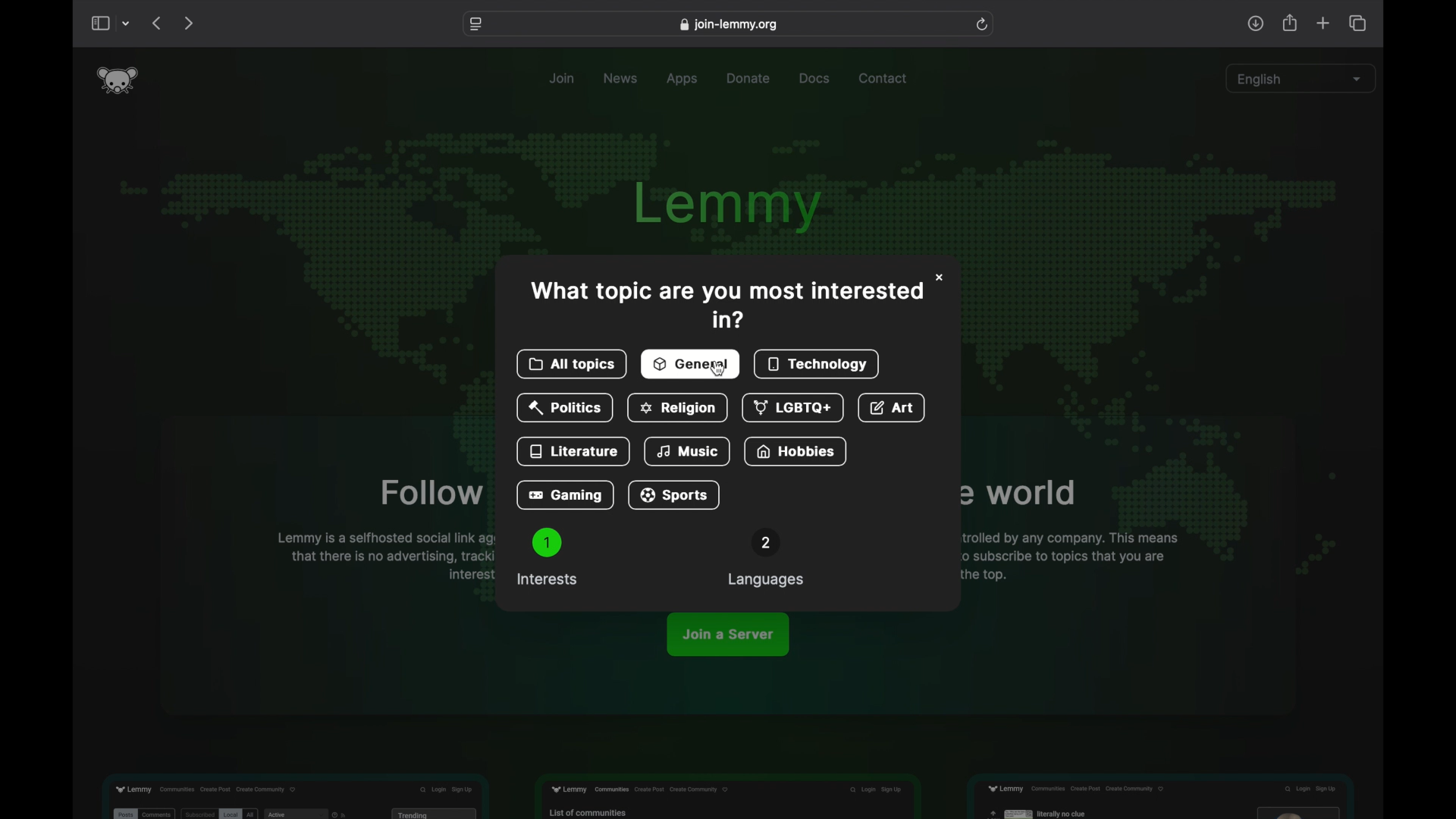  What do you see at coordinates (674, 495) in the screenshot?
I see `sports` at bounding box center [674, 495].